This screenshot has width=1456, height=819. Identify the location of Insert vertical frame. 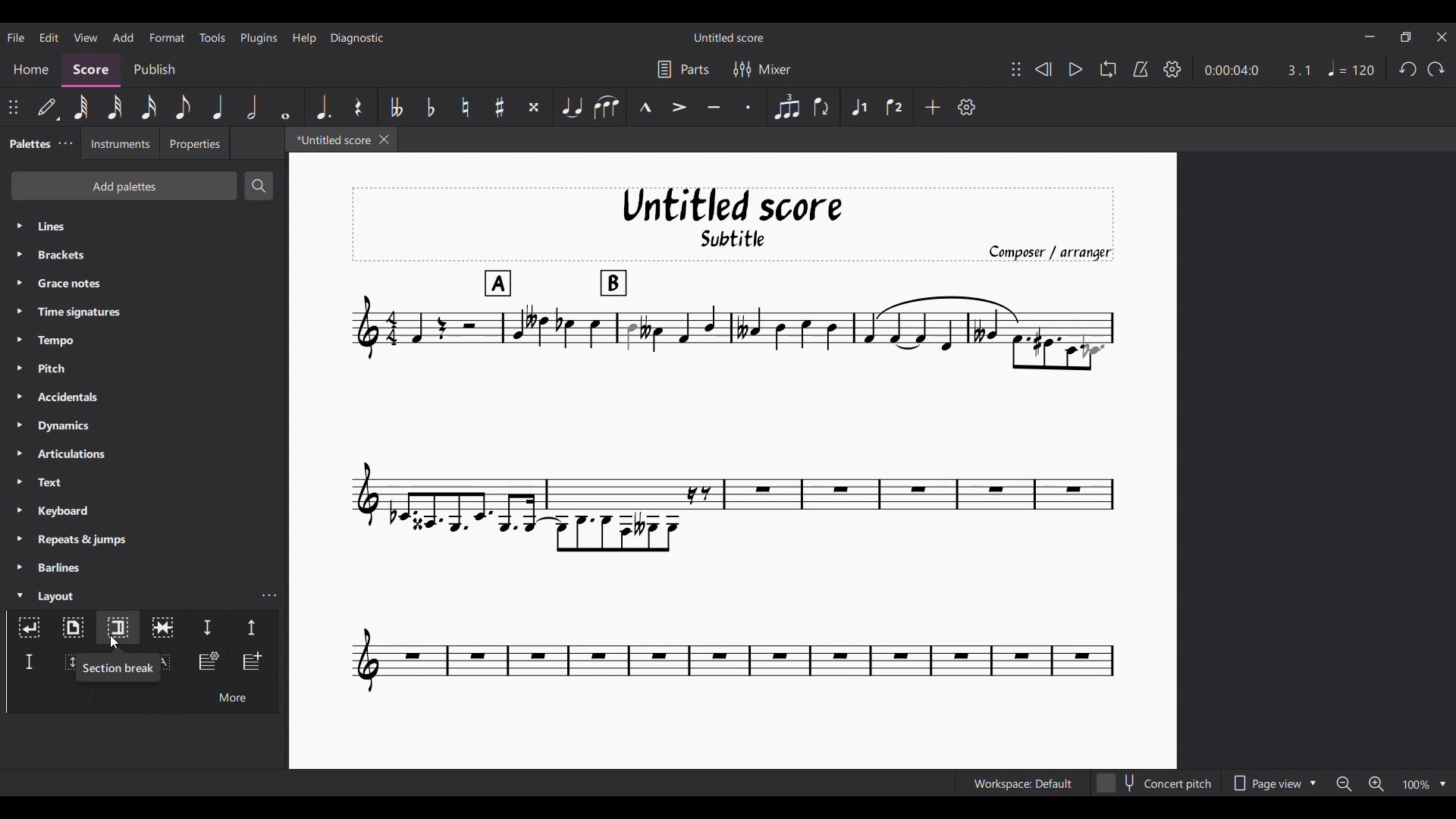
(64, 662).